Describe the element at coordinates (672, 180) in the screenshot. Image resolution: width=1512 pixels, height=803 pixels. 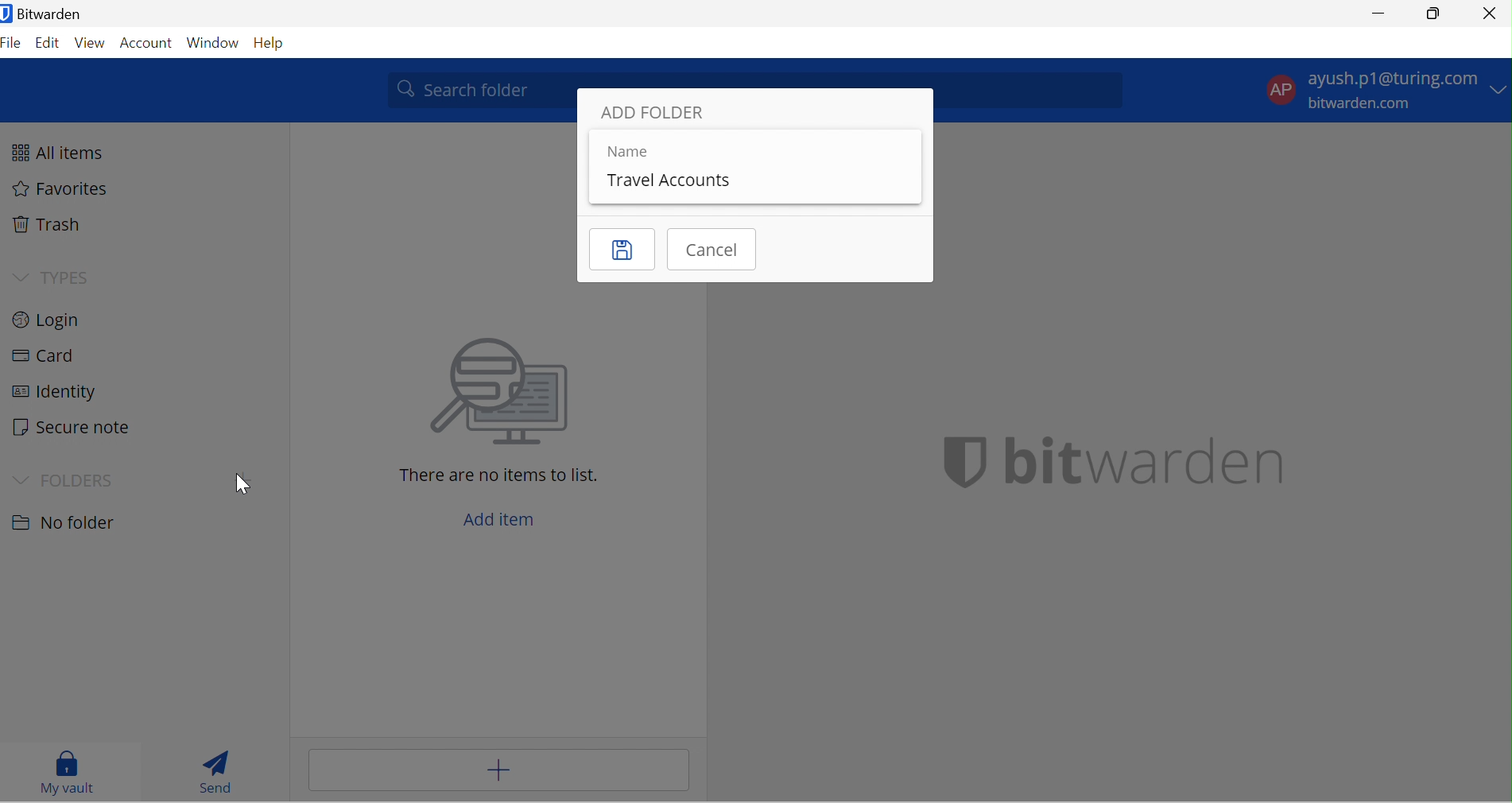
I see `Travel Accounts` at that location.